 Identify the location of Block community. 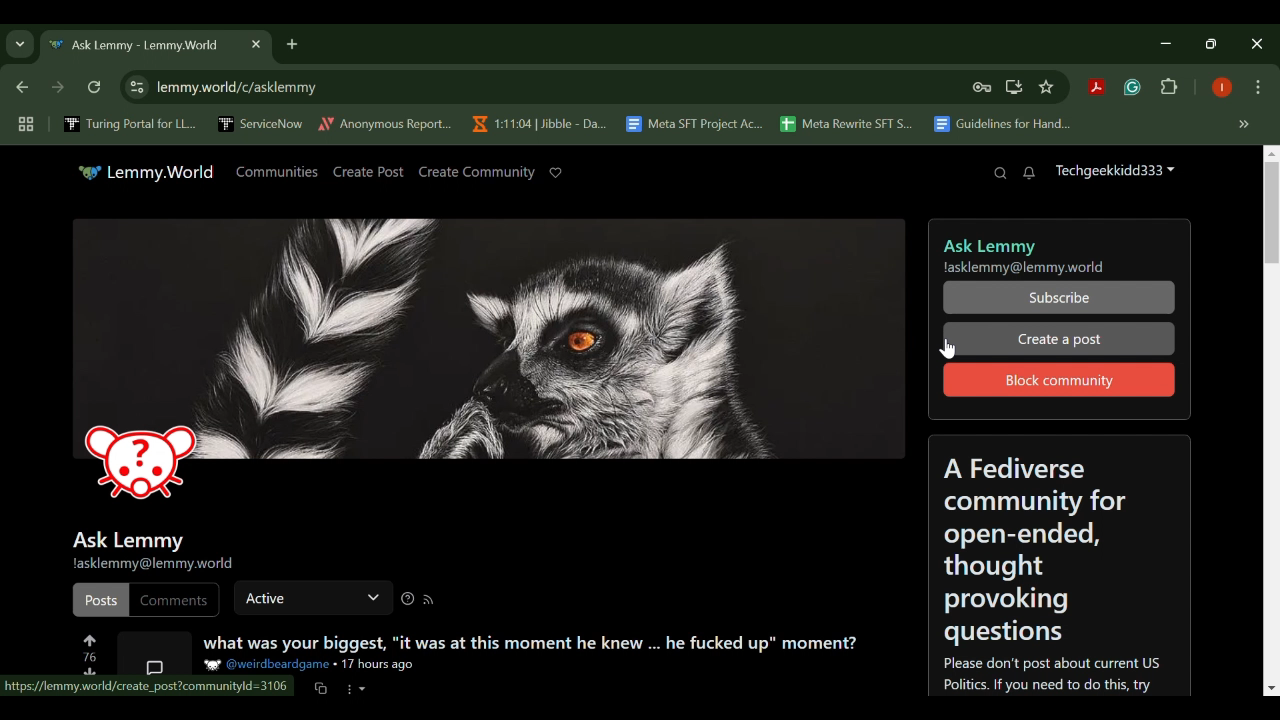
(1059, 380).